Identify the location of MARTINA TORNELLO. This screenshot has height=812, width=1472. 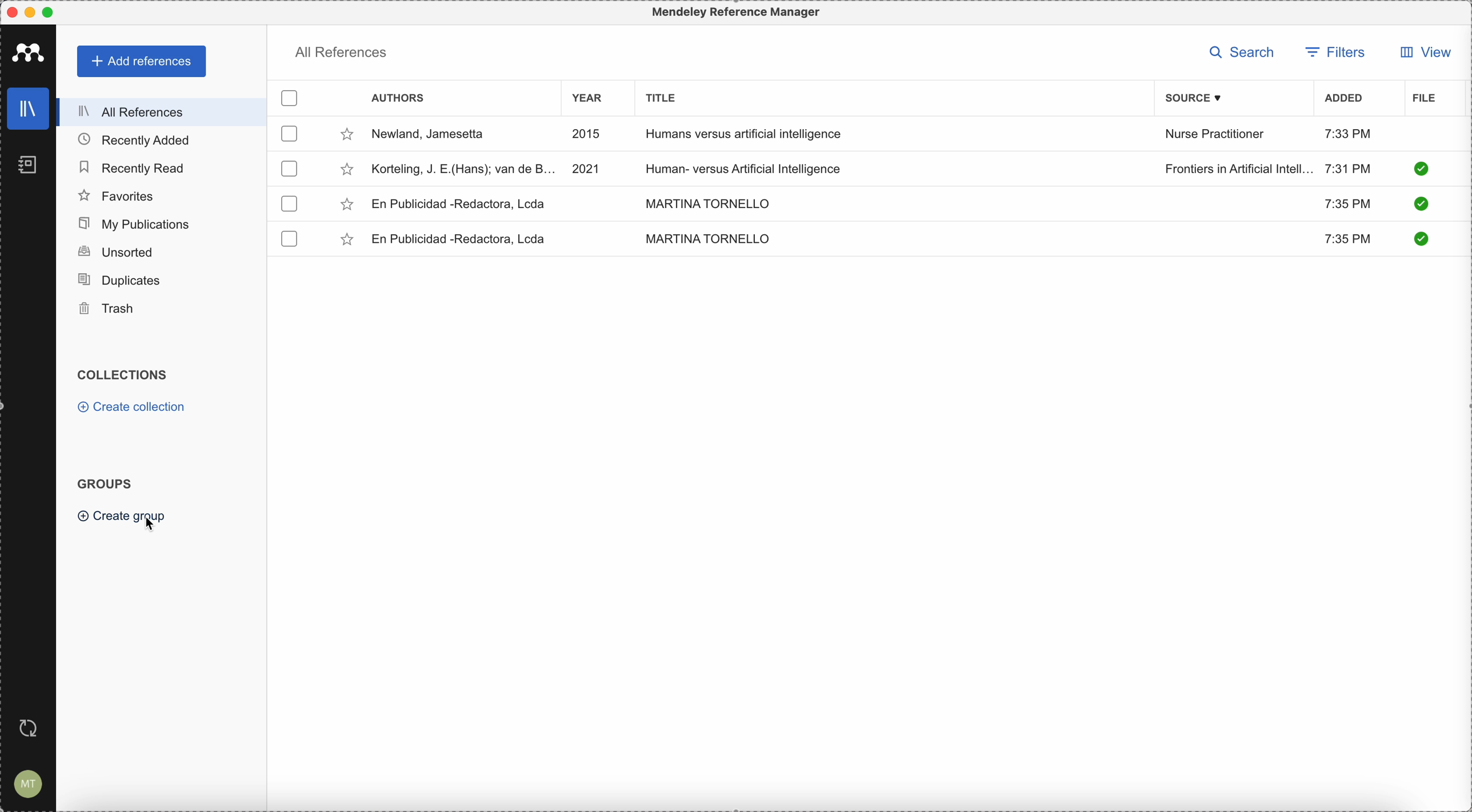
(707, 238).